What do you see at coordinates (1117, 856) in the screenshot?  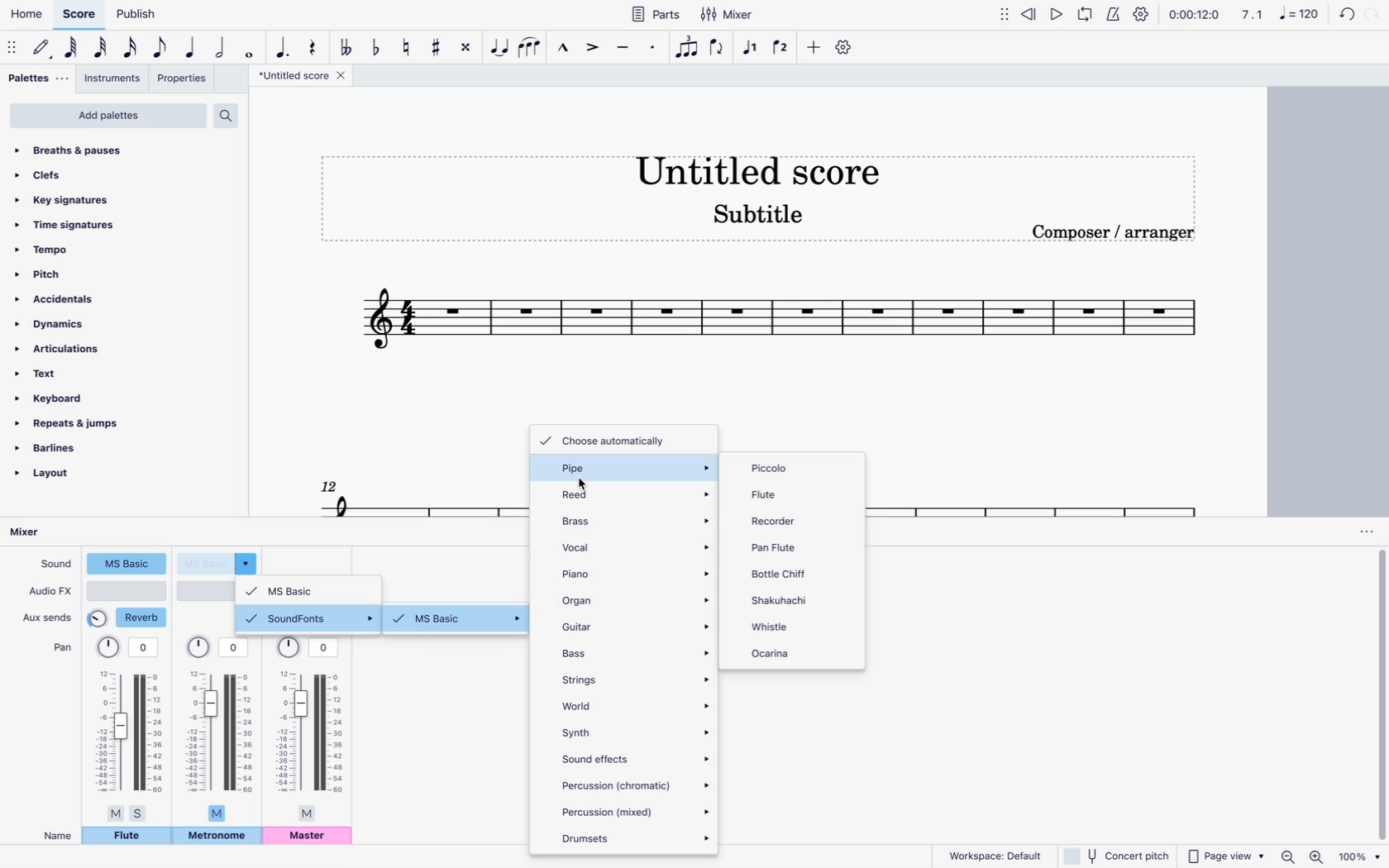 I see `concert pitch` at bounding box center [1117, 856].